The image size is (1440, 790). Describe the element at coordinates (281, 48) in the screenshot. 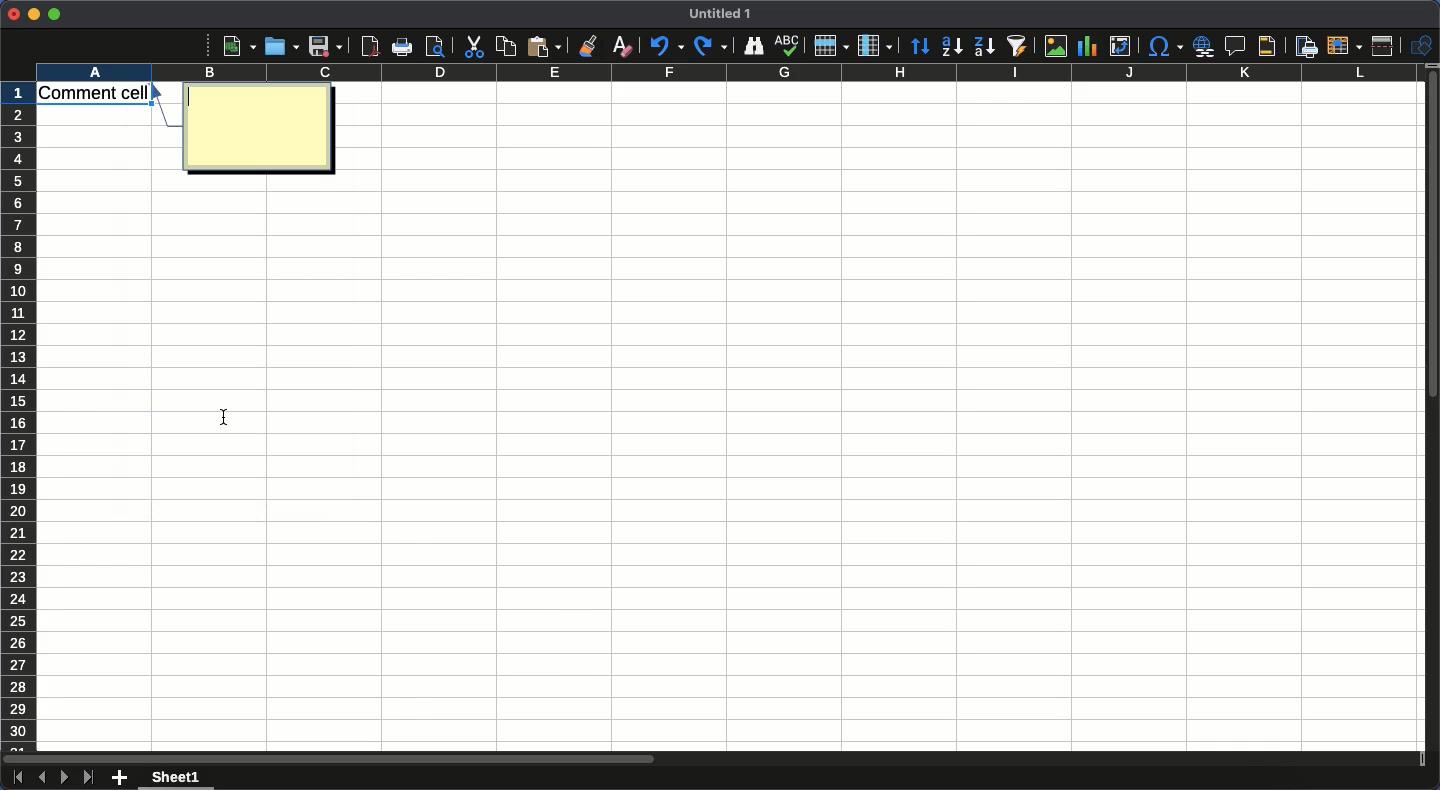

I see `Open` at that location.